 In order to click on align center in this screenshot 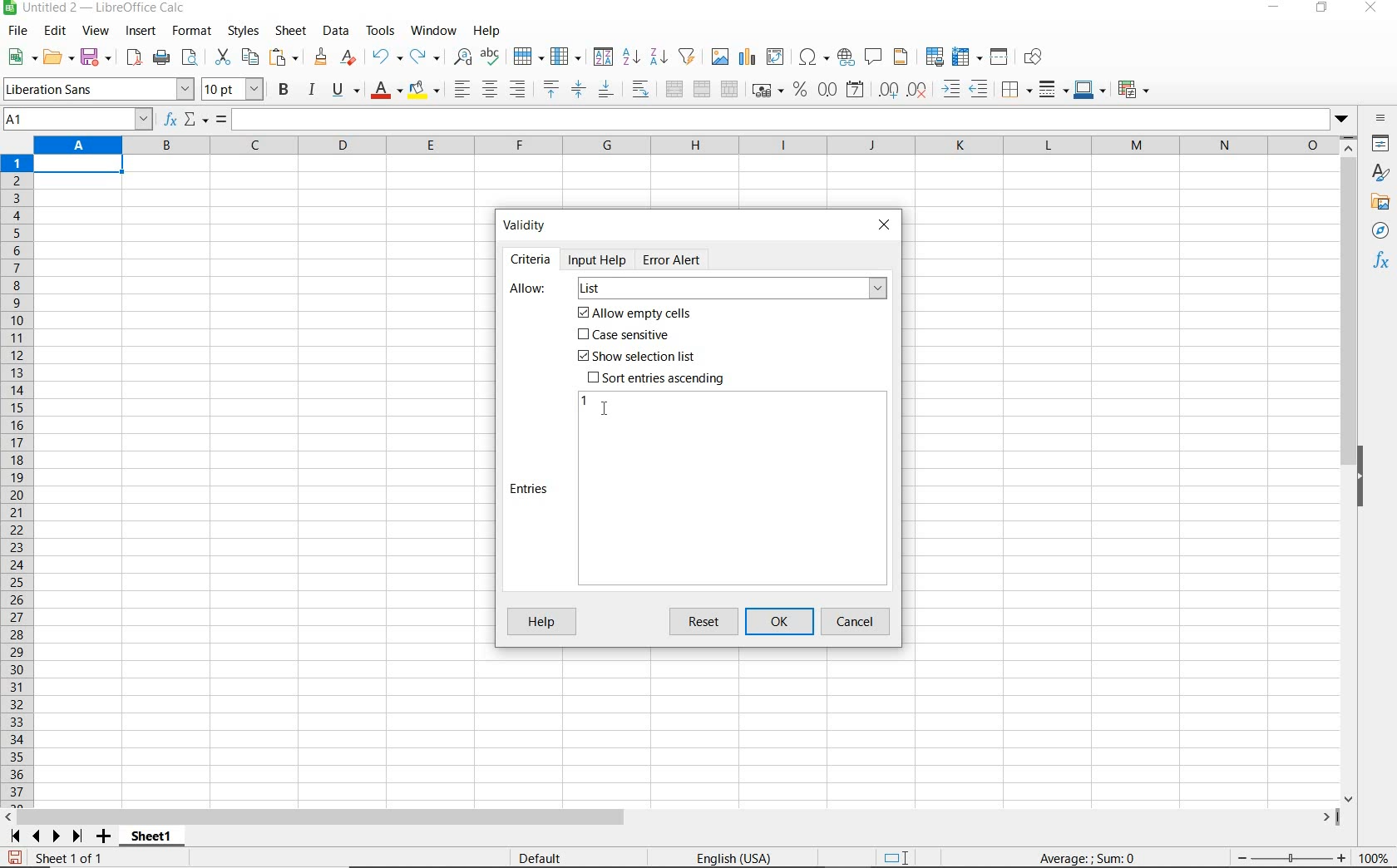, I will do `click(490, 90)`.